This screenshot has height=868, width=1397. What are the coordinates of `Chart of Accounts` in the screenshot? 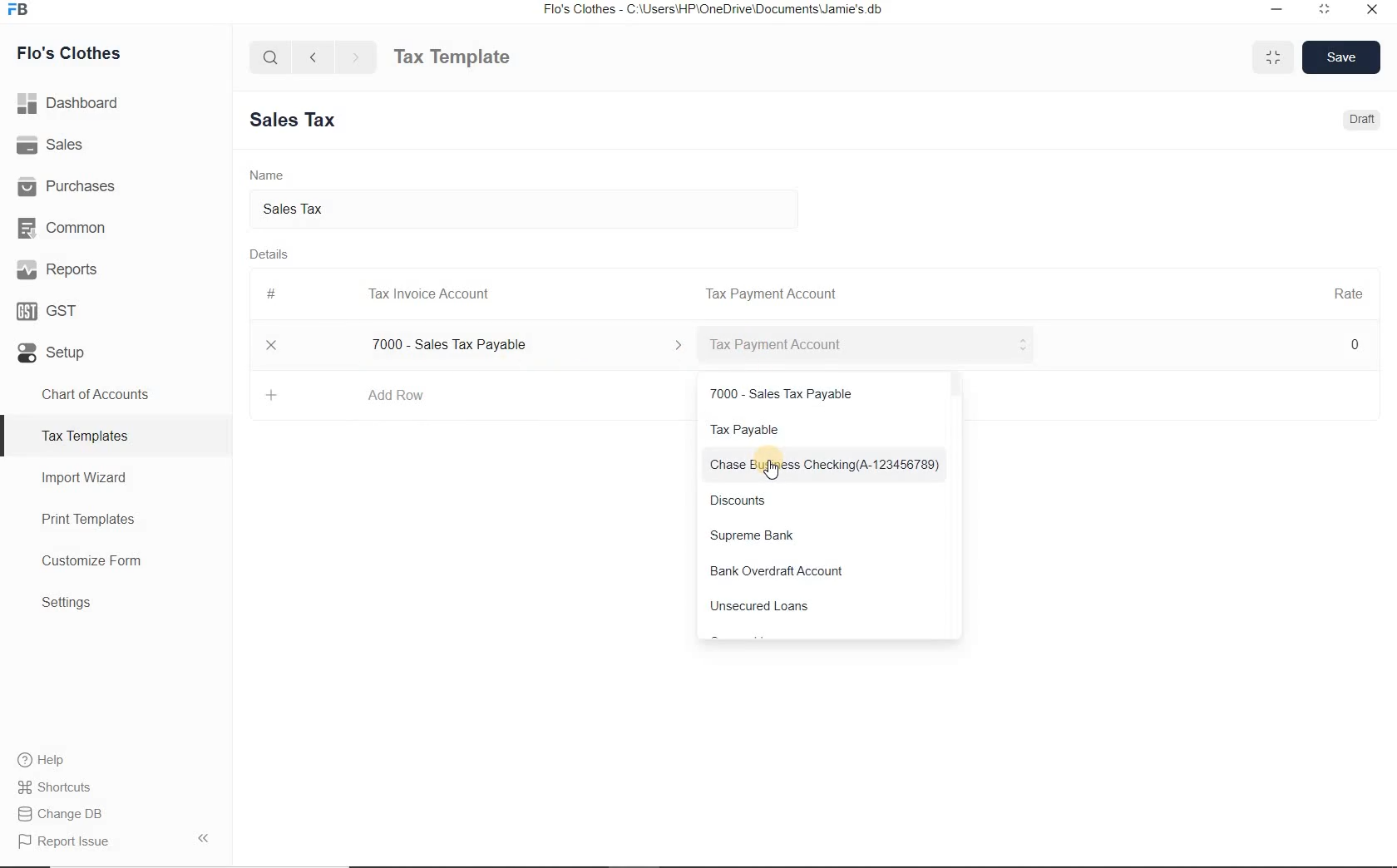 It's located at (115, 394).